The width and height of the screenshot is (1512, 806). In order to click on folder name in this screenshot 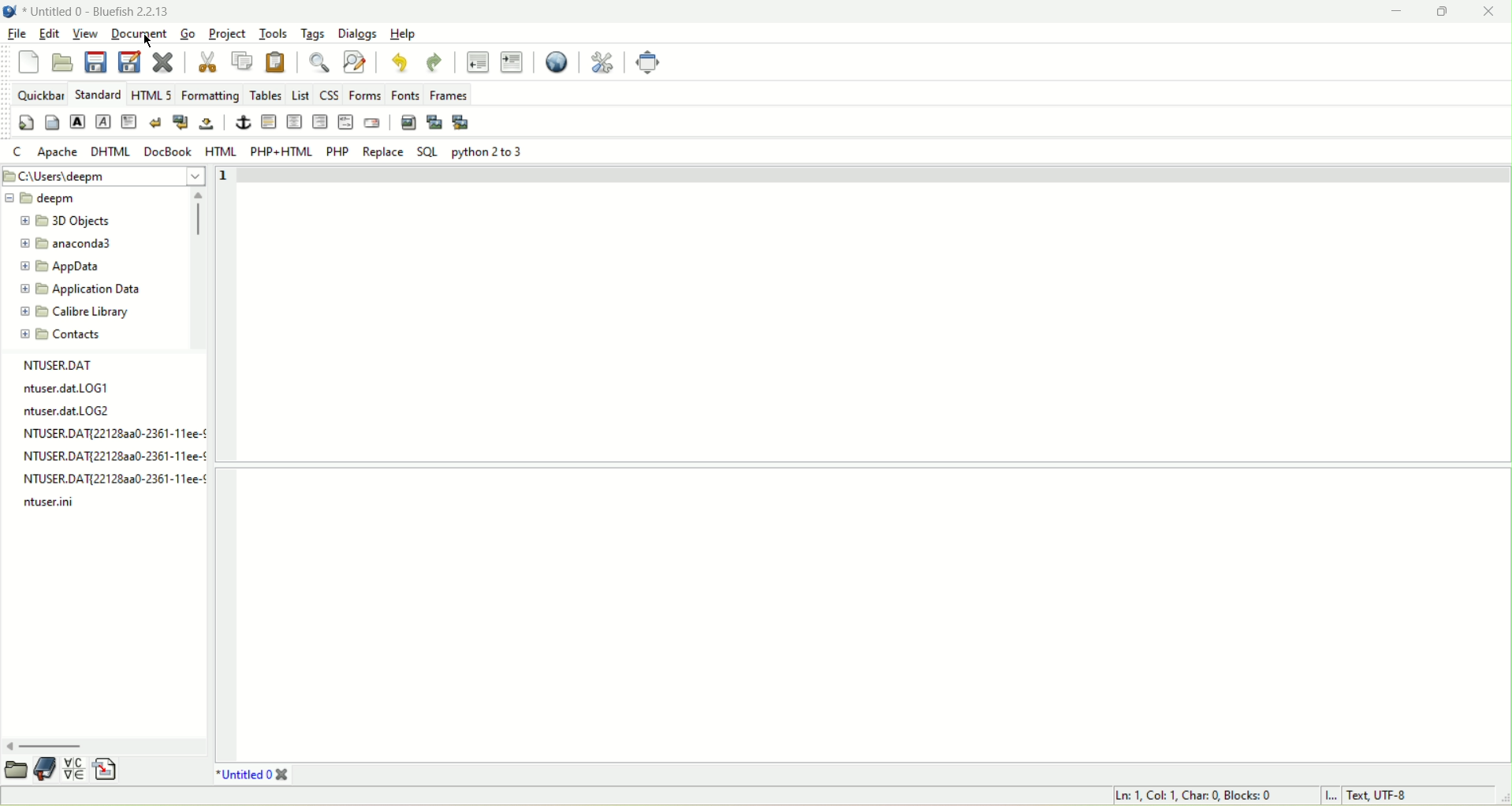, I will do `click(54, 198)`.